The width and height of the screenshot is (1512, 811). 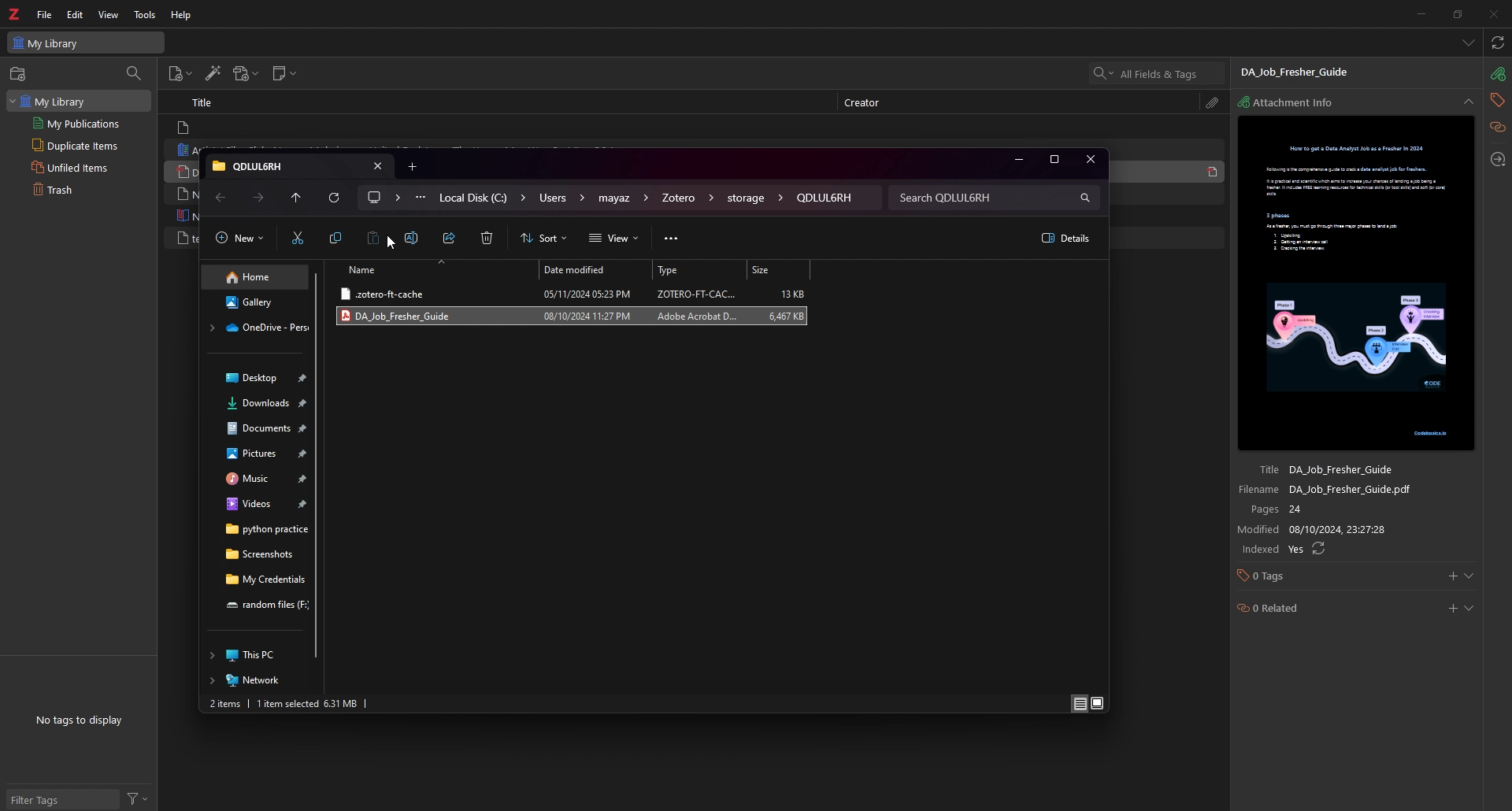 What do you see at coordinates (869, 103) in the screenshot?
I see `creator` at bounding box center [869, 103].